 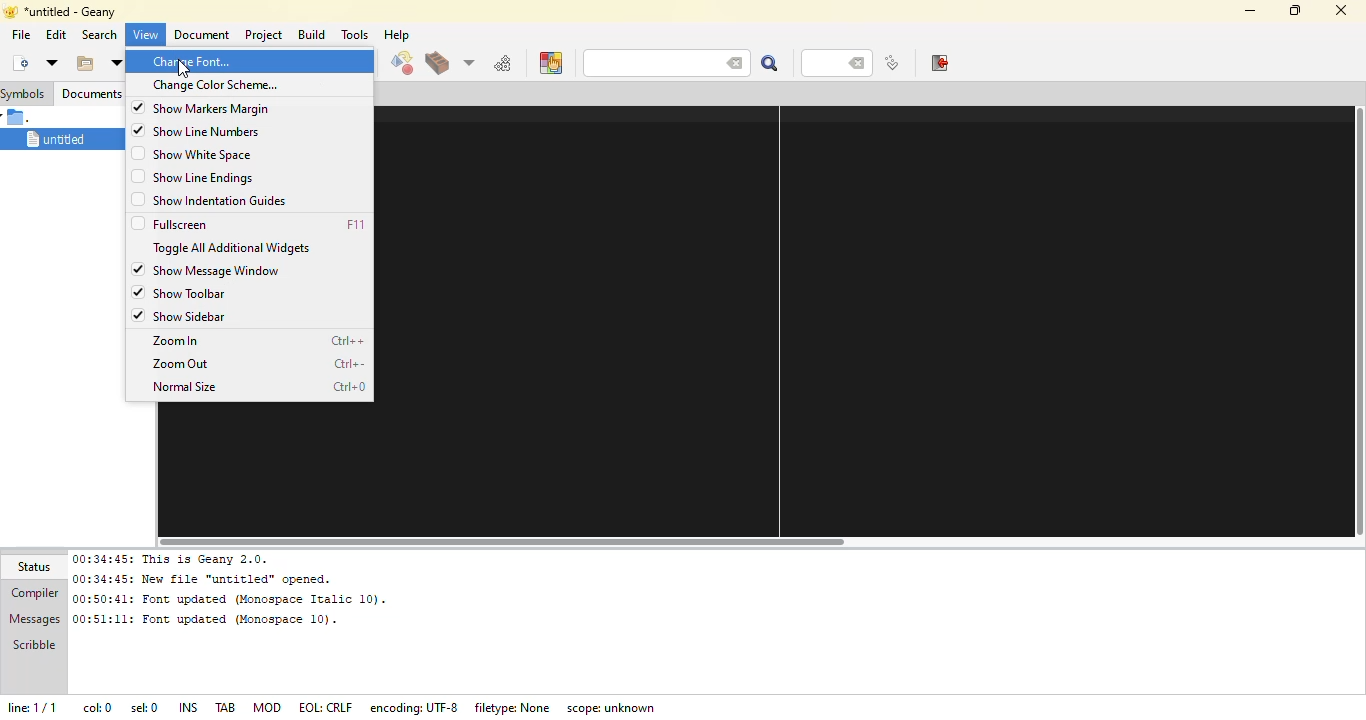 I want to click on edit, so click(x=56, y=35).